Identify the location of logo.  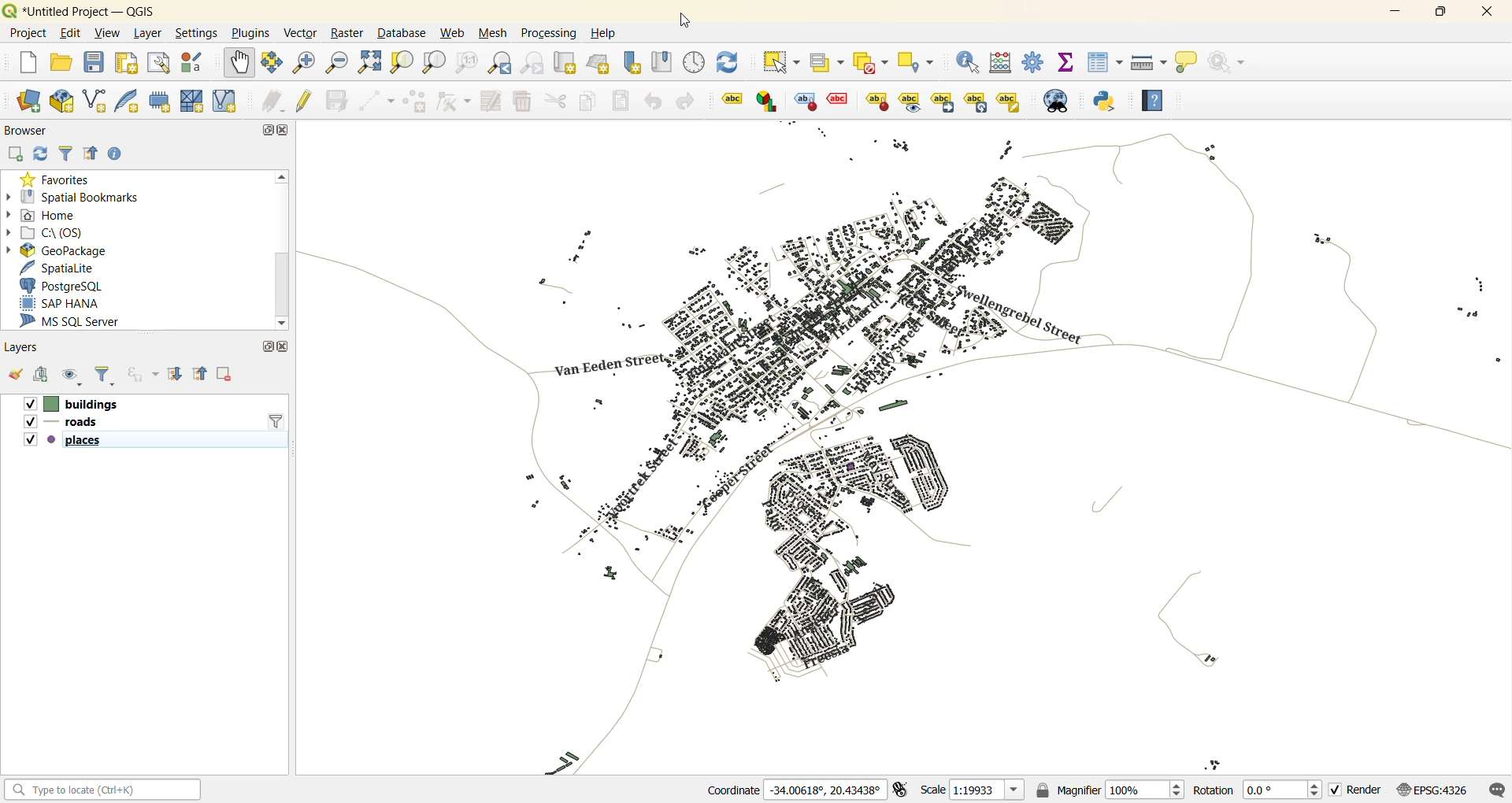
(9, 10).